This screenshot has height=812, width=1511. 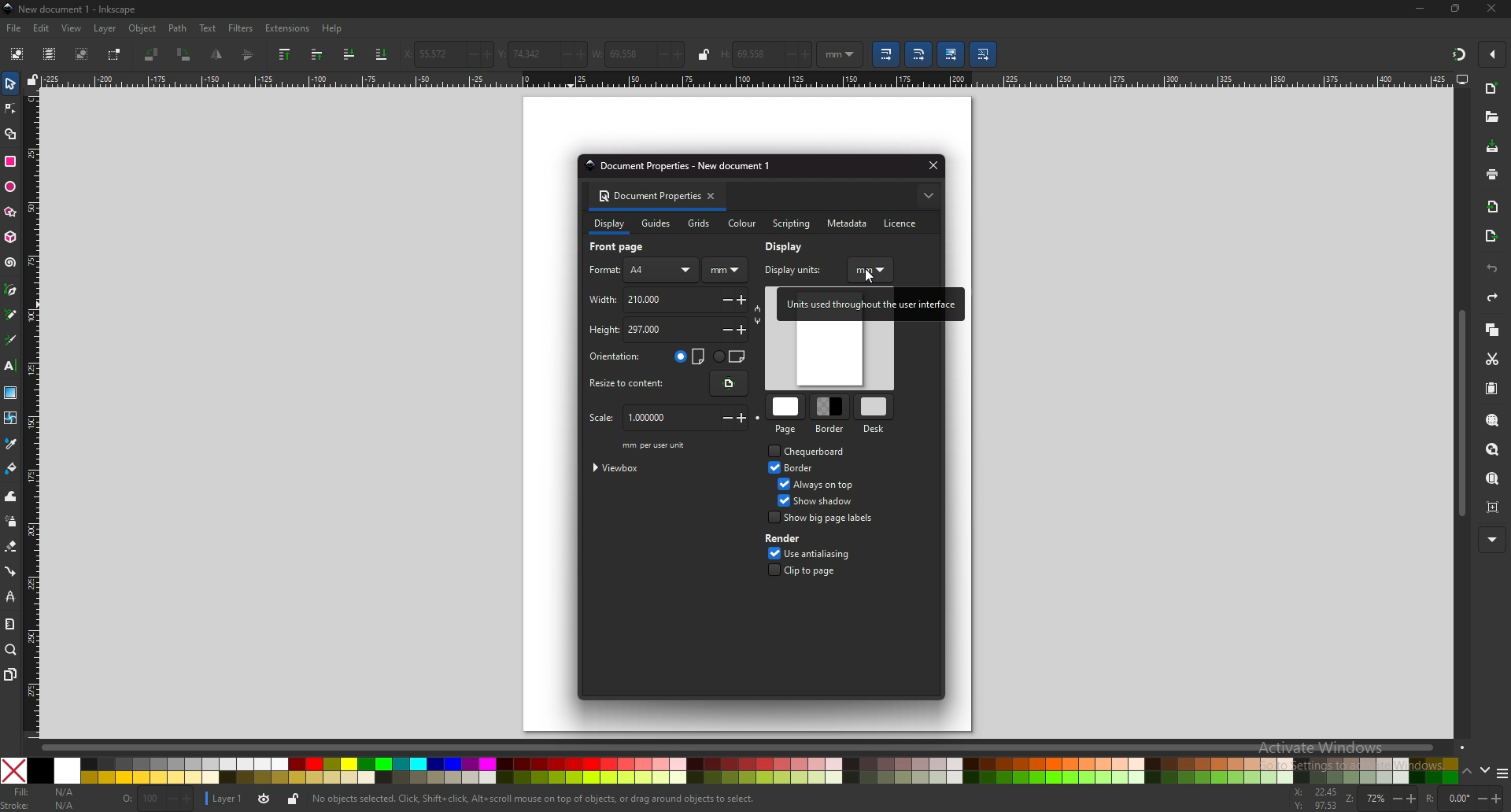 I want to click on -, so click(x=1391, y=798).